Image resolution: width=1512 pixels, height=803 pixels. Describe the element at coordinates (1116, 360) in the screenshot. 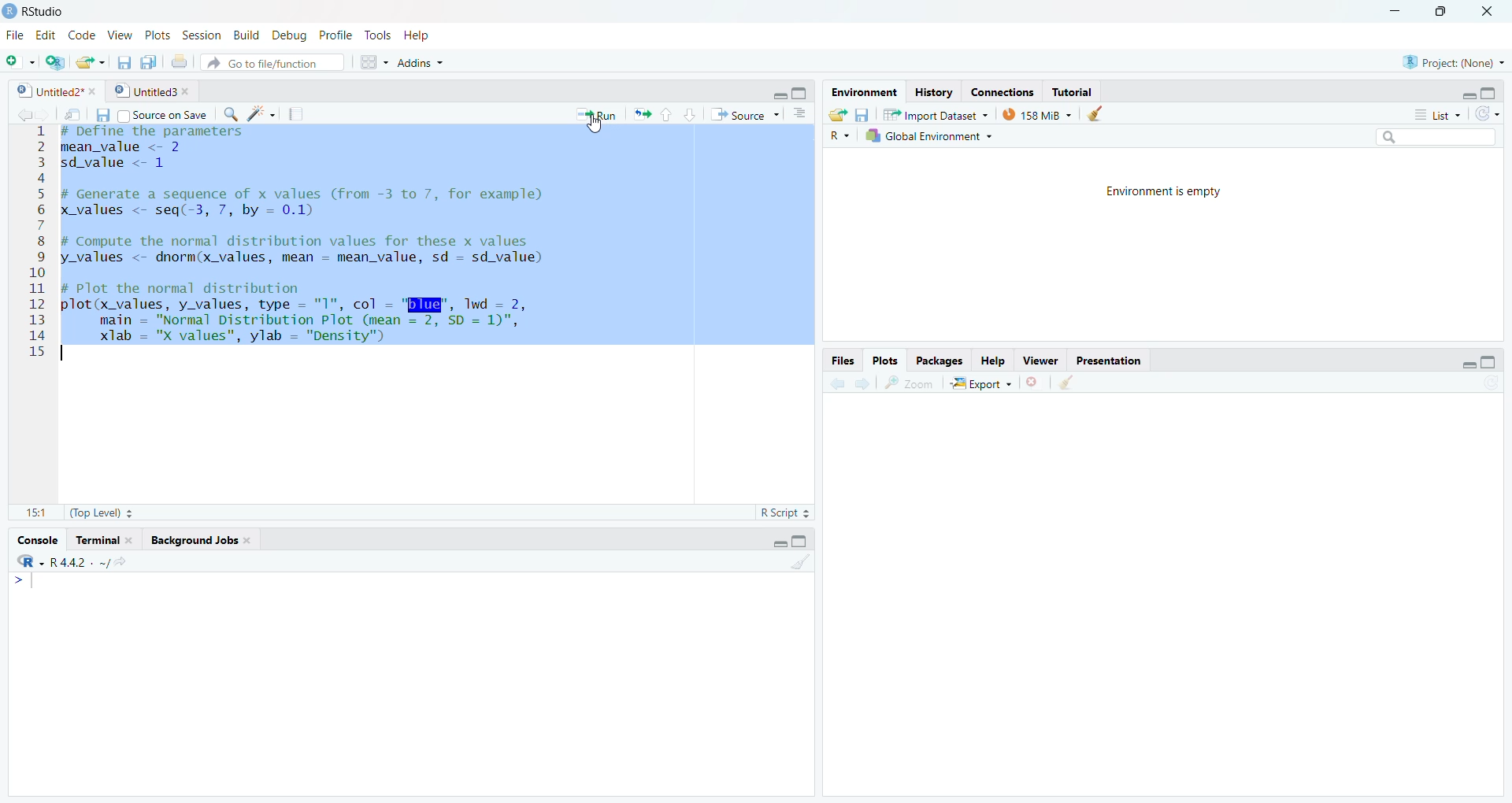

I see `Presentation` at that location.